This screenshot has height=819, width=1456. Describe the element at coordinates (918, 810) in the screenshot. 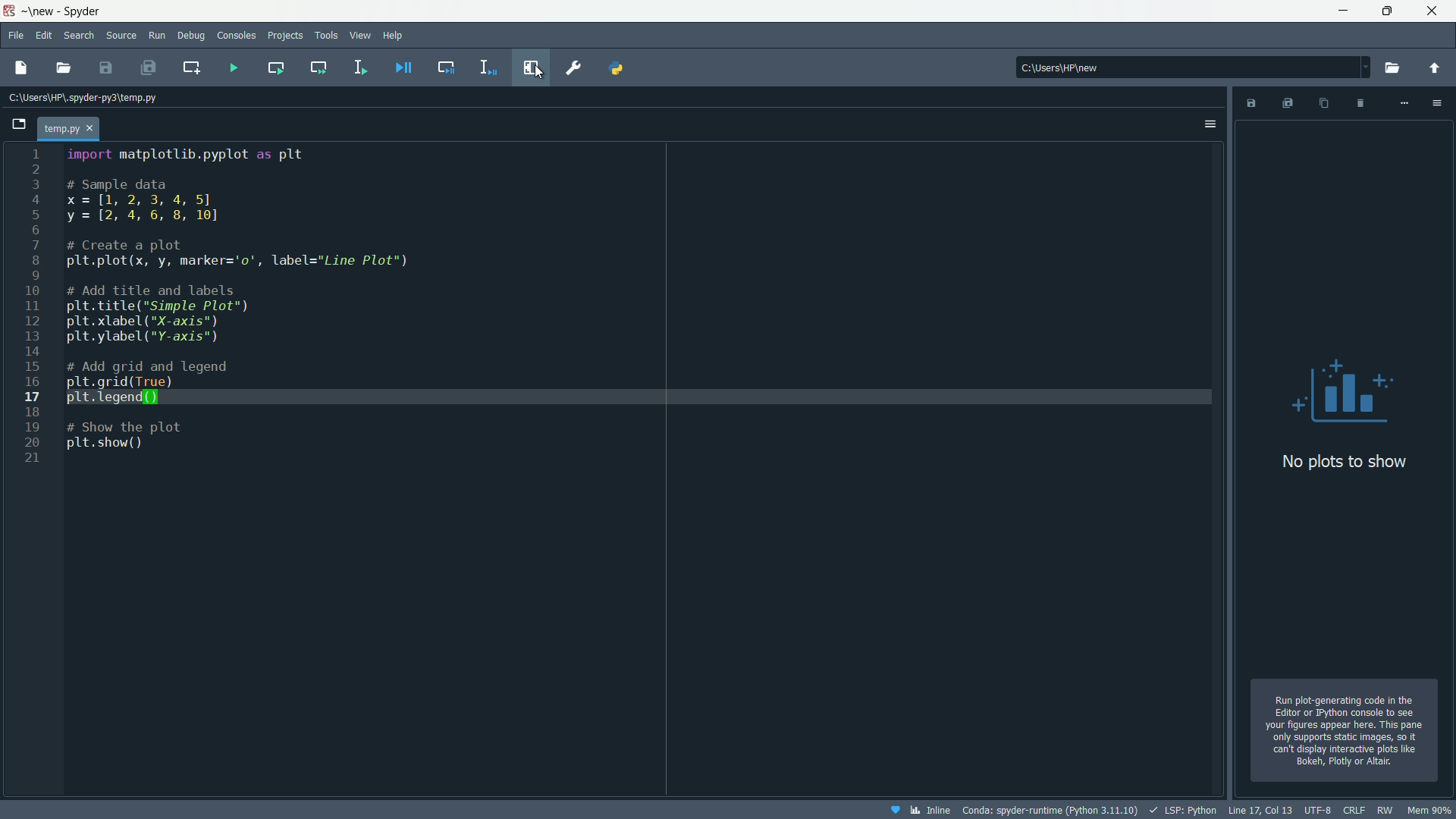

I see `inline` at that location.